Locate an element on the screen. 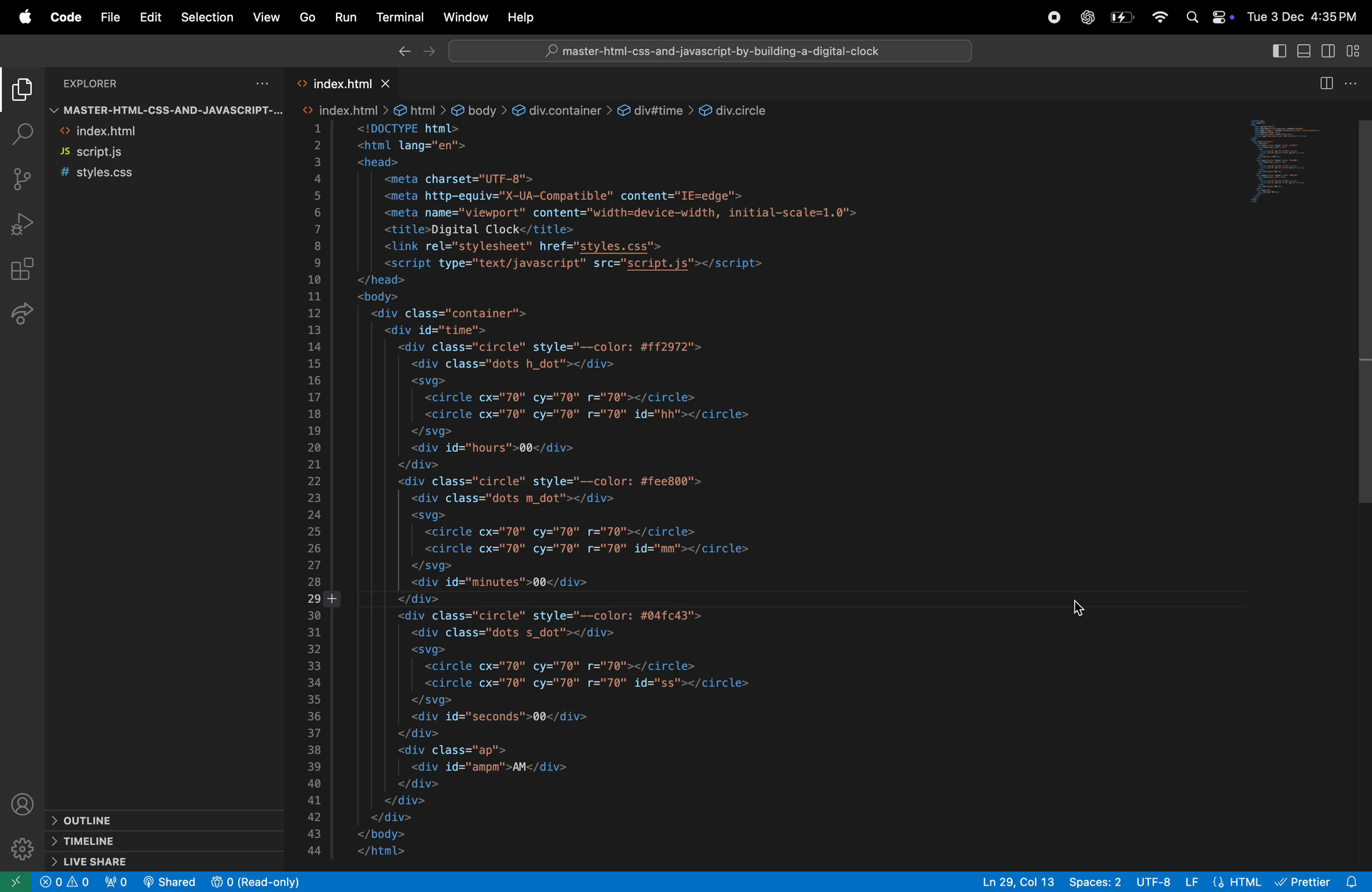 This screenshot has height=892, width=1372. help is located at coordinates (519, 18).